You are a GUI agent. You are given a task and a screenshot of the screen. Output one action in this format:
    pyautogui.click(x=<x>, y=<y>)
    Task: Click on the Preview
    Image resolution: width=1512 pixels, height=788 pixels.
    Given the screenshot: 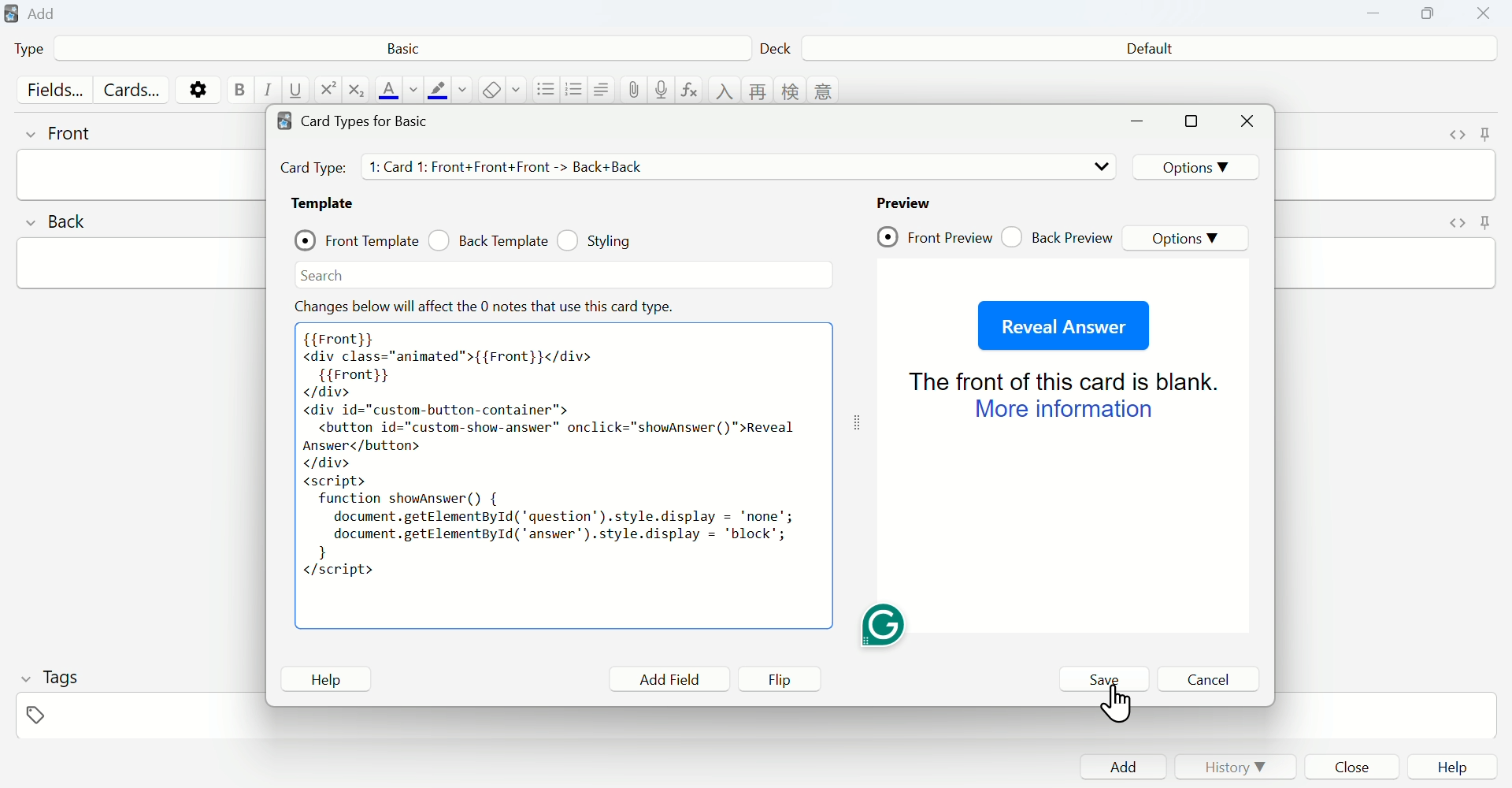 What is the action you would take?
    pyautogui.click(x=905, y=203)
    